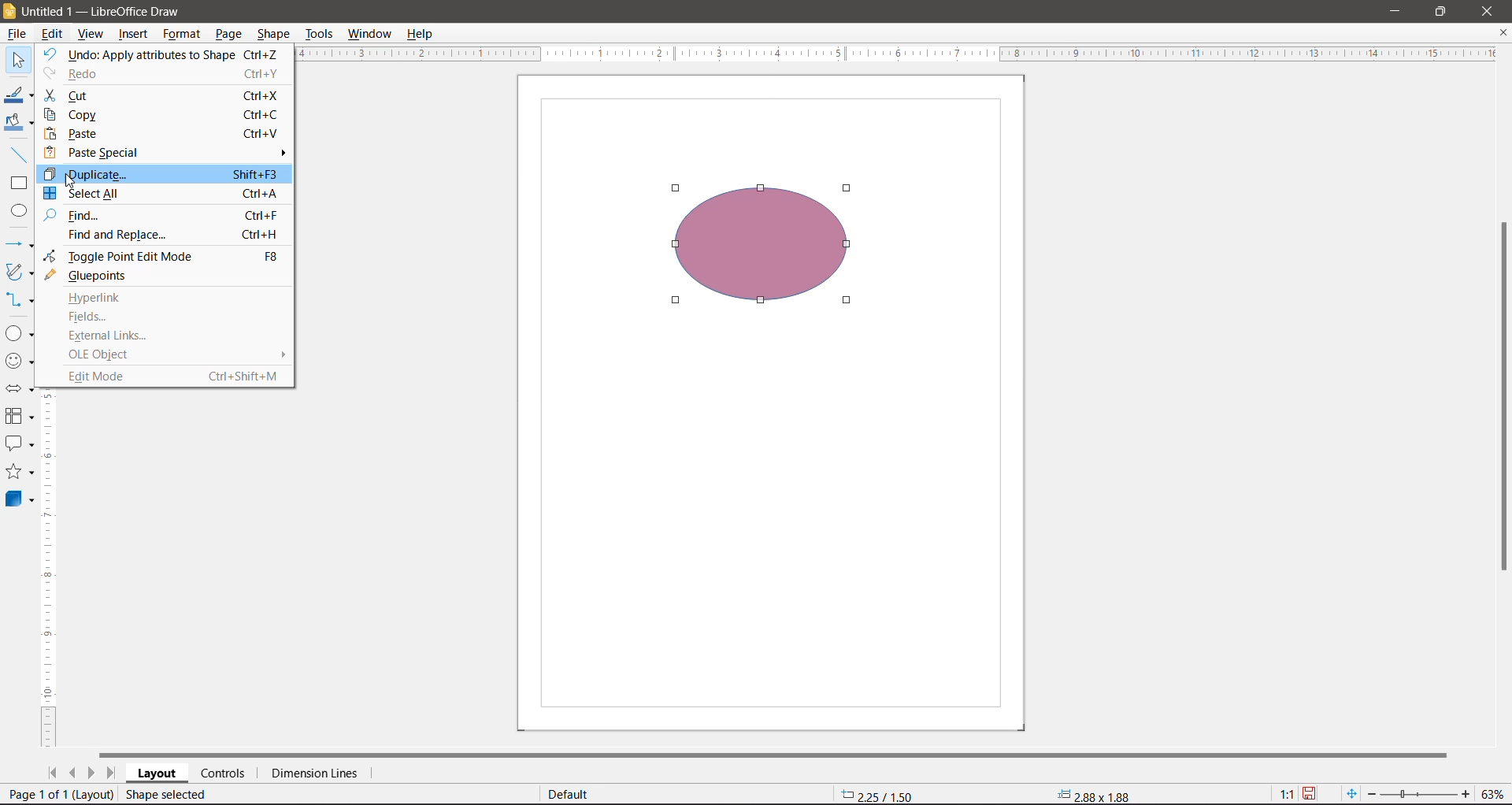 The height and width of the screenshot is (805, 1512). Describe the element at coordinates (160, 195) in the screenshot. I see `Select All` at that location.